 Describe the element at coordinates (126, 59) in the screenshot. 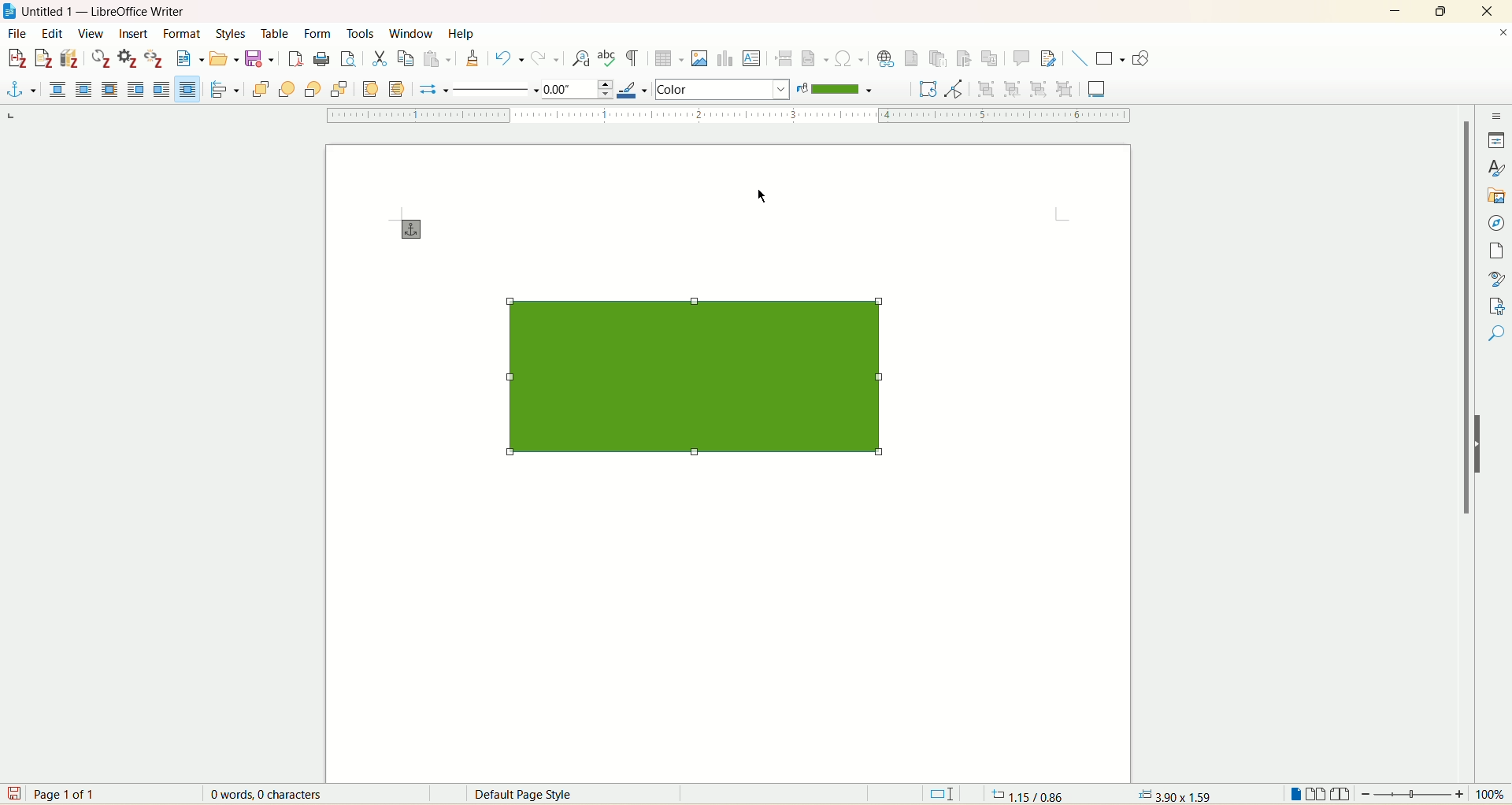

I see `document preferences` at that location.